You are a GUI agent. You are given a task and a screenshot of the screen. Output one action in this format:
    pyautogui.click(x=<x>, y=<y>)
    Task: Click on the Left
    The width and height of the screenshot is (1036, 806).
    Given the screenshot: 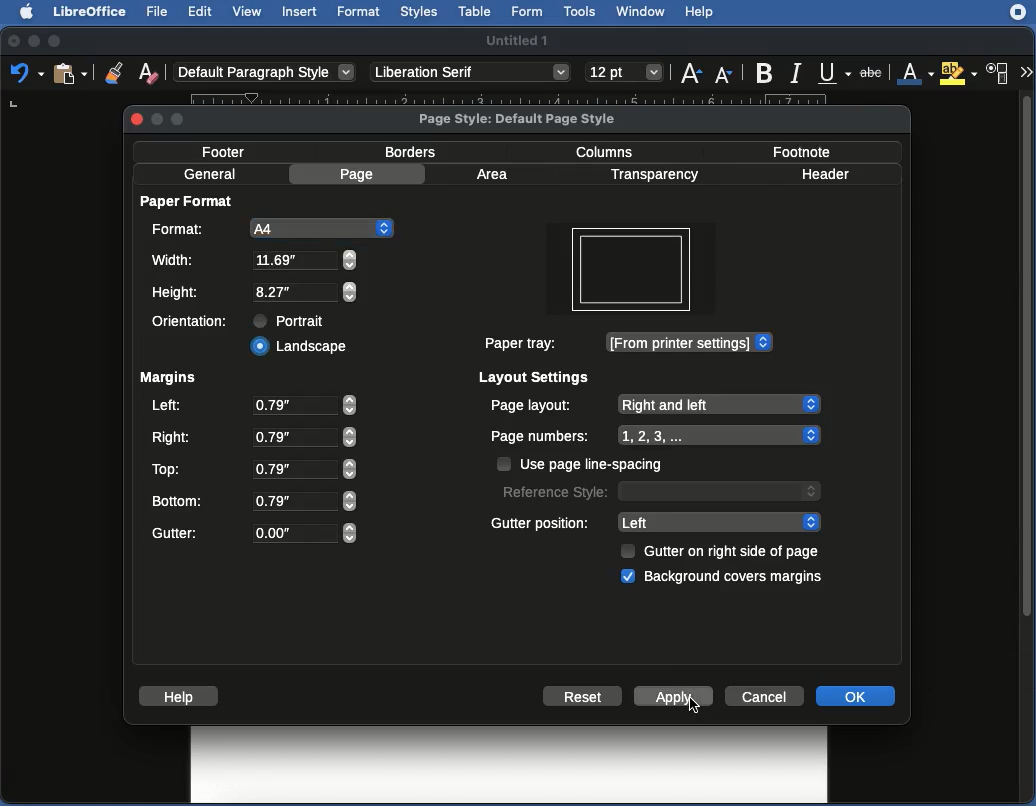 What is the action you would take?
    pyautogui.click(x=718, y=523)
    